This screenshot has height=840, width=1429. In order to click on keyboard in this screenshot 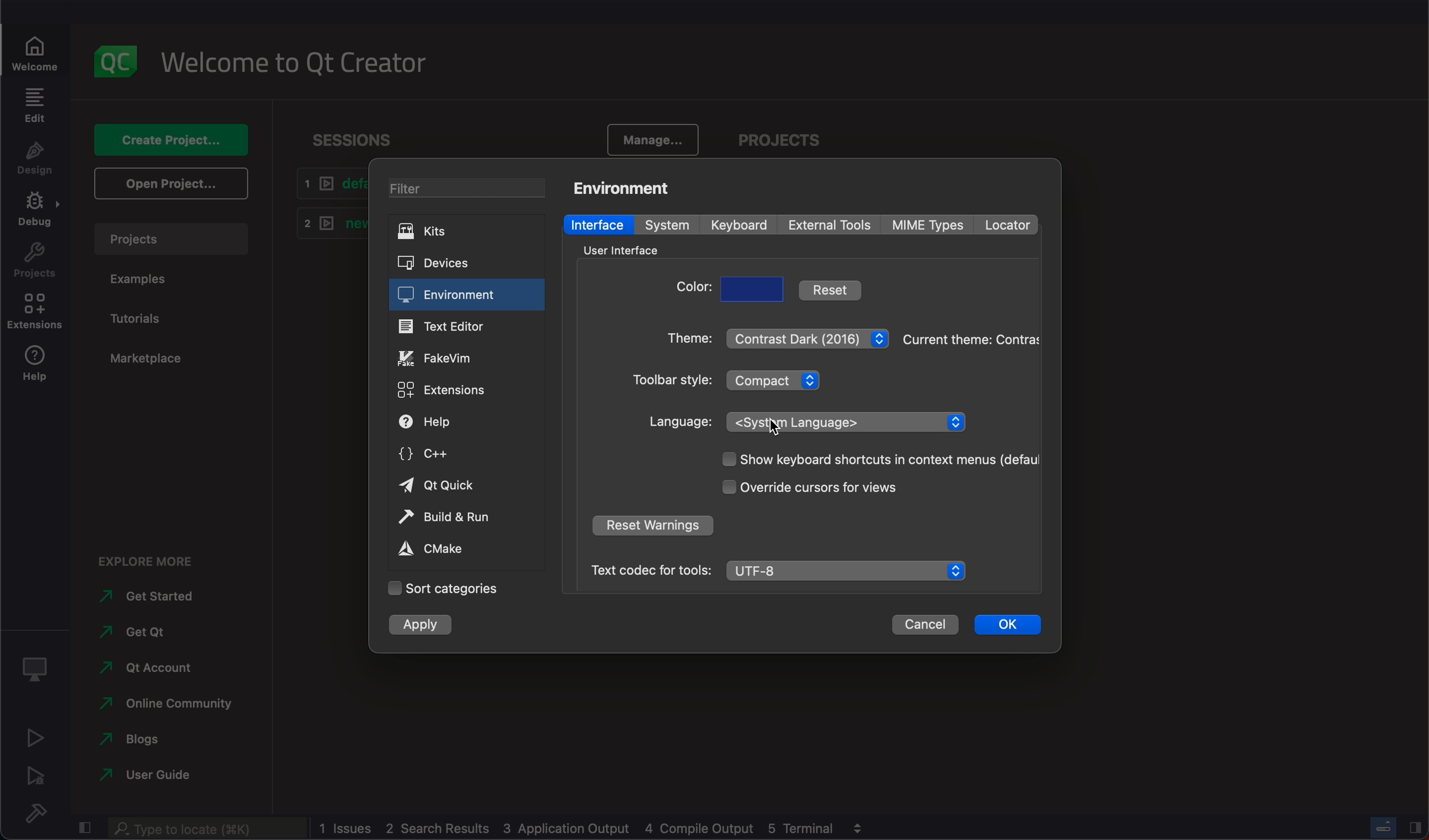, I will do `click(742, 226)`.